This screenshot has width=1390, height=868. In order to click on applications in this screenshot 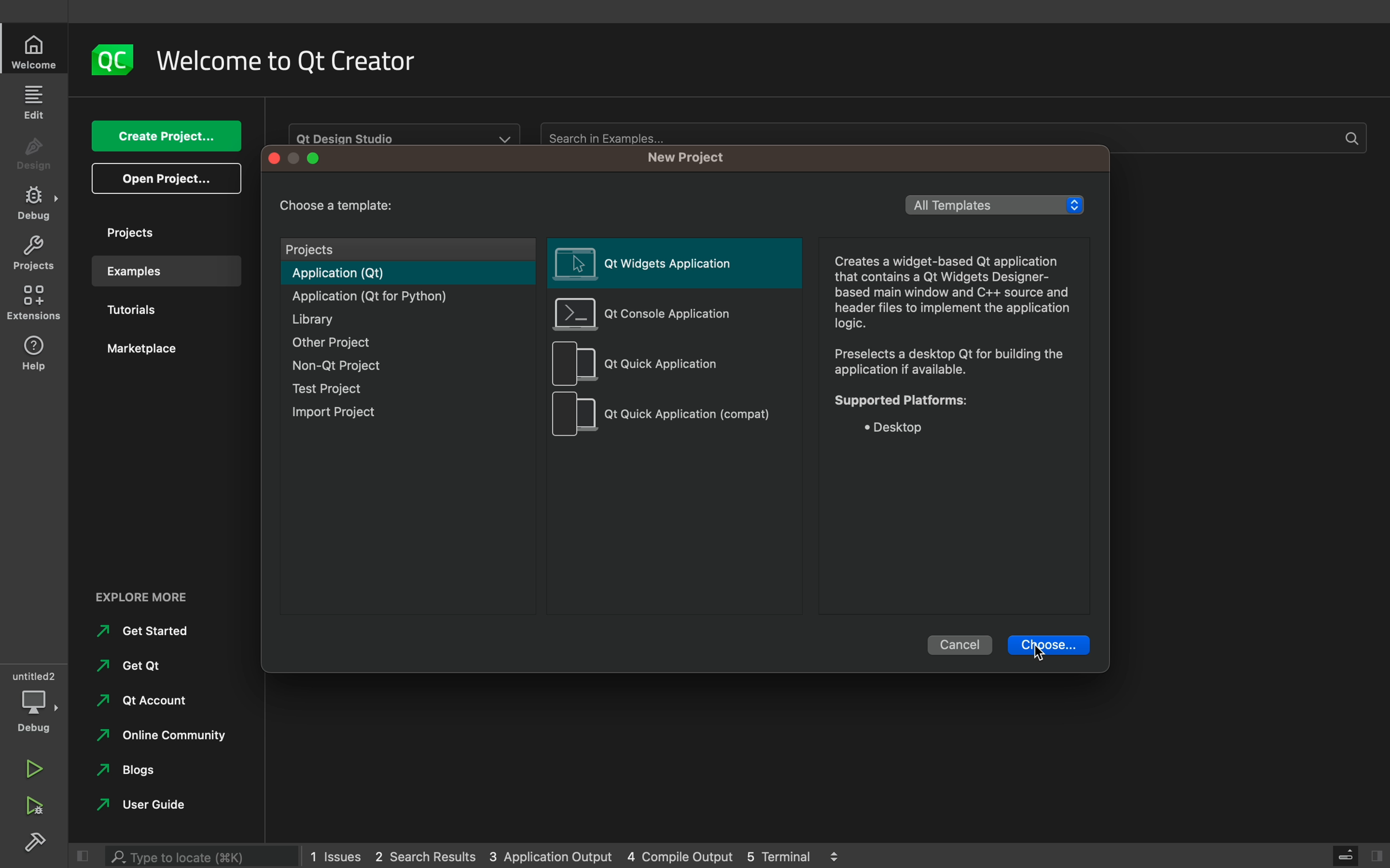, I will do `click(406, 272)`.